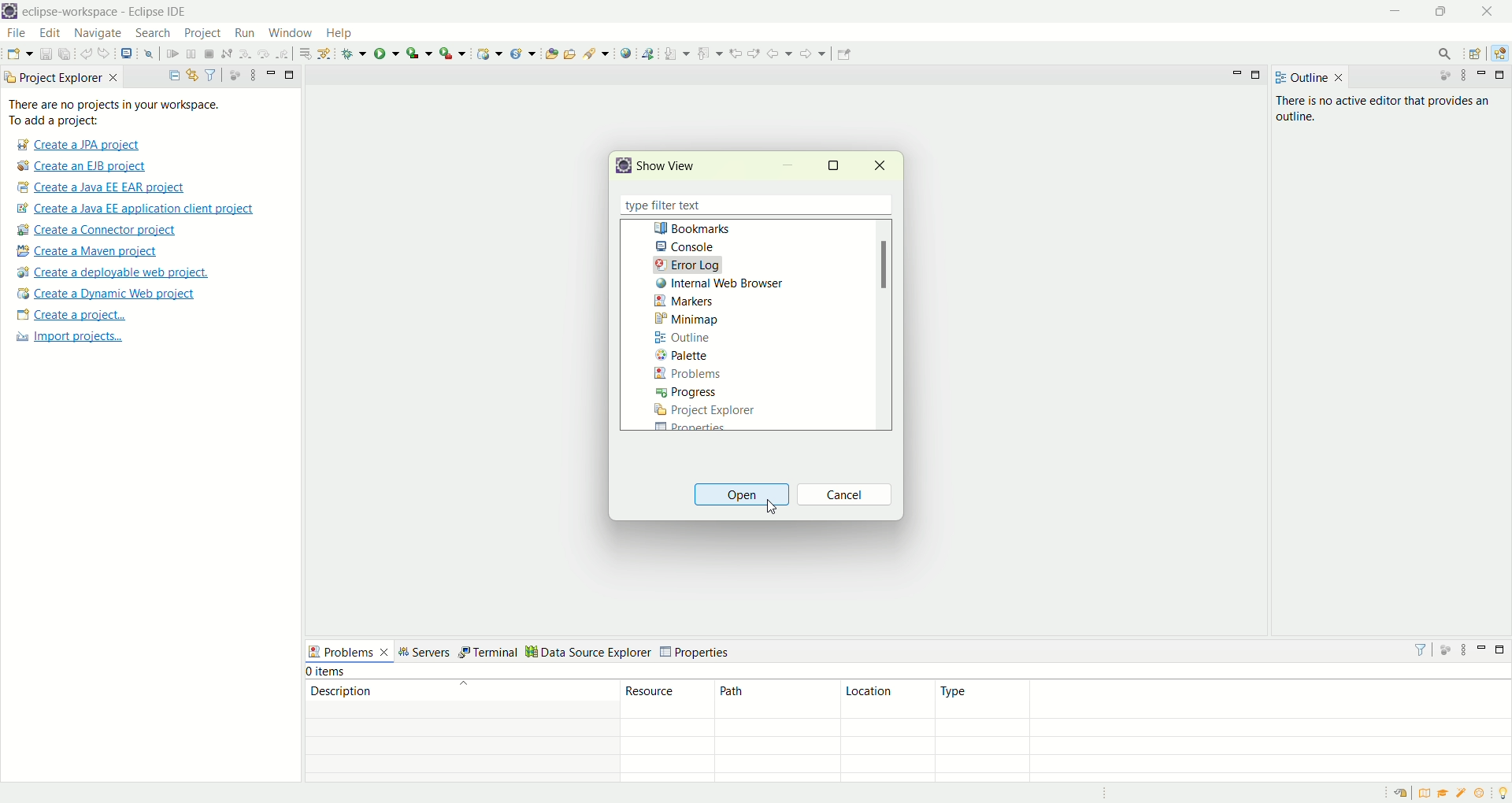 The width and height of the screenshot is (1512, 803). What do you see at coordinates (689, 247) in the screenshot?
I see `console` at bounding box center [689, 247].